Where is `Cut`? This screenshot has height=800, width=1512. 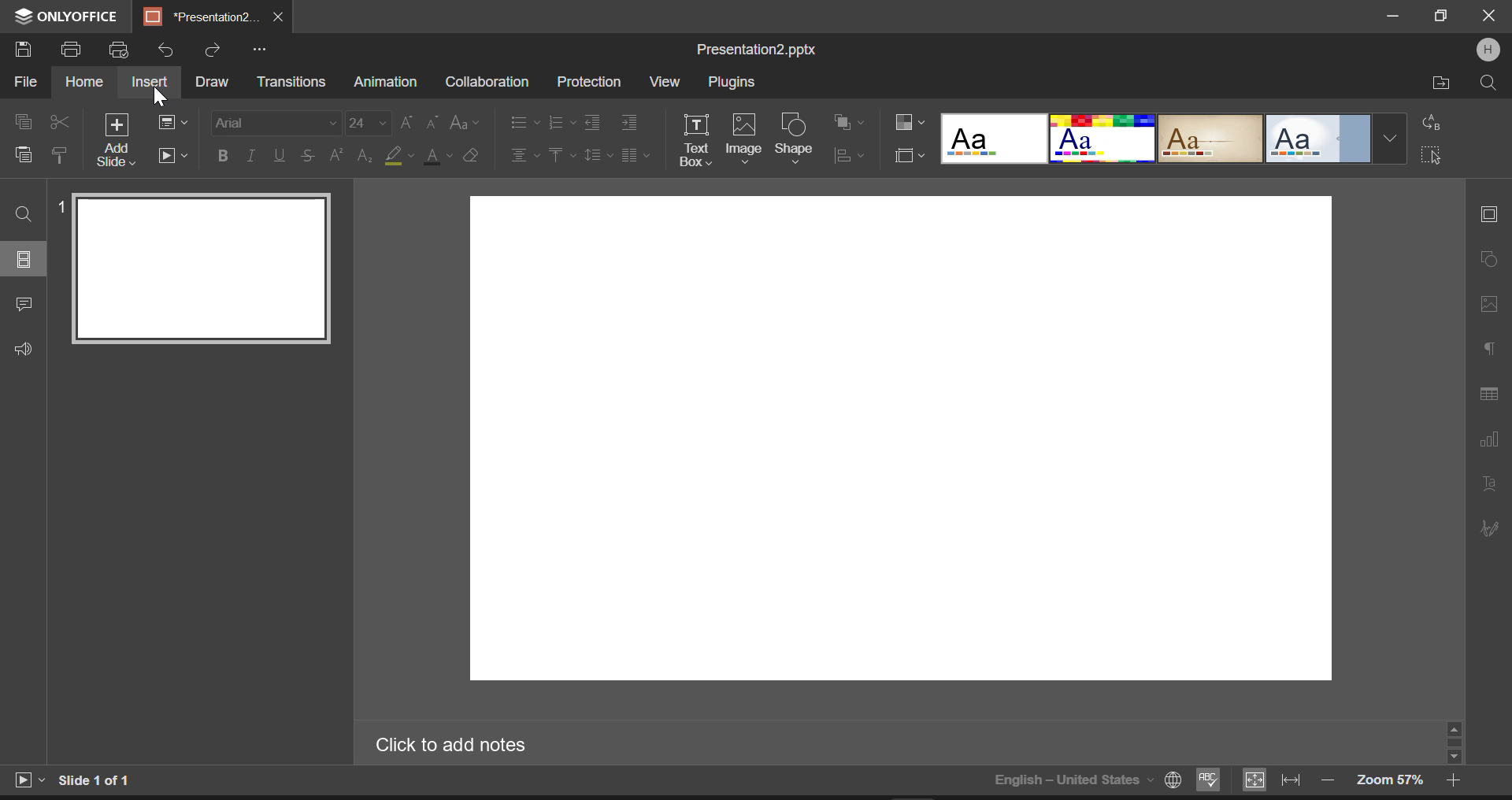 Cut is located at coordinates (60, 119).